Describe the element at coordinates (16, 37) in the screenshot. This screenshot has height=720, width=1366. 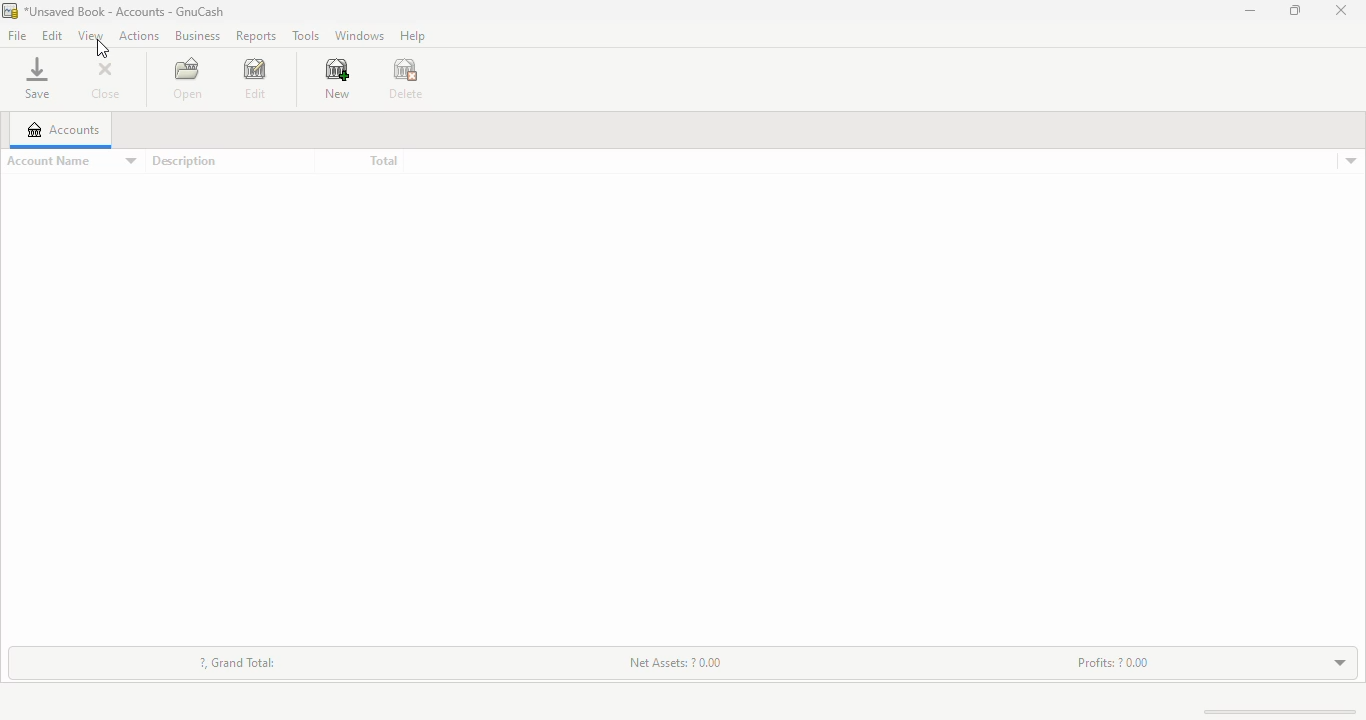
I see `file` at that location.